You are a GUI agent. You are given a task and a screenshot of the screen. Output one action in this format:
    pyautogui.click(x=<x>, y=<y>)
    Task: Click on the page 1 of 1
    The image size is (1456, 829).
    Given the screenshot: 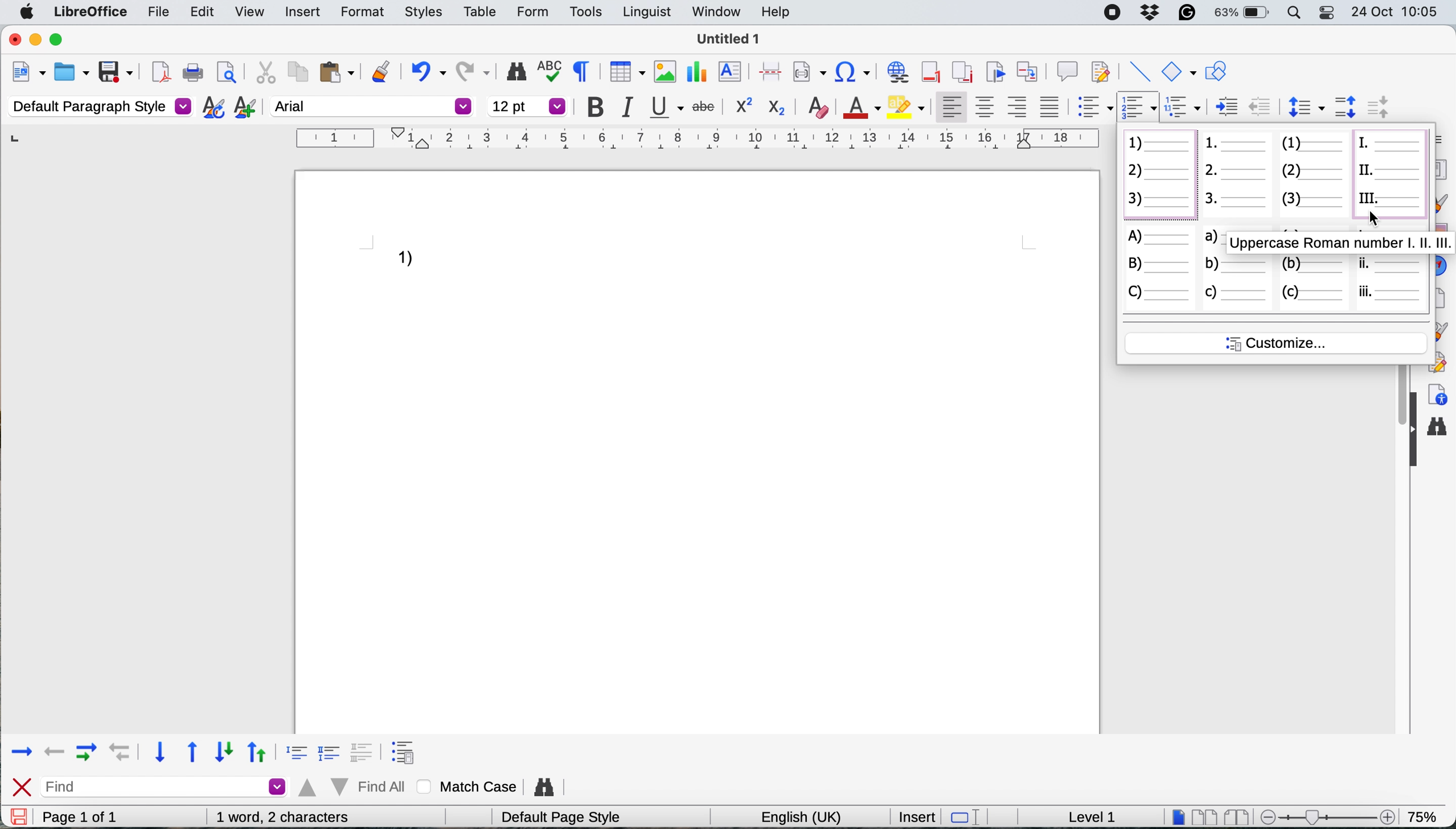 What is the action you would take?
    pyautogui.click(x=98, y=817)
    